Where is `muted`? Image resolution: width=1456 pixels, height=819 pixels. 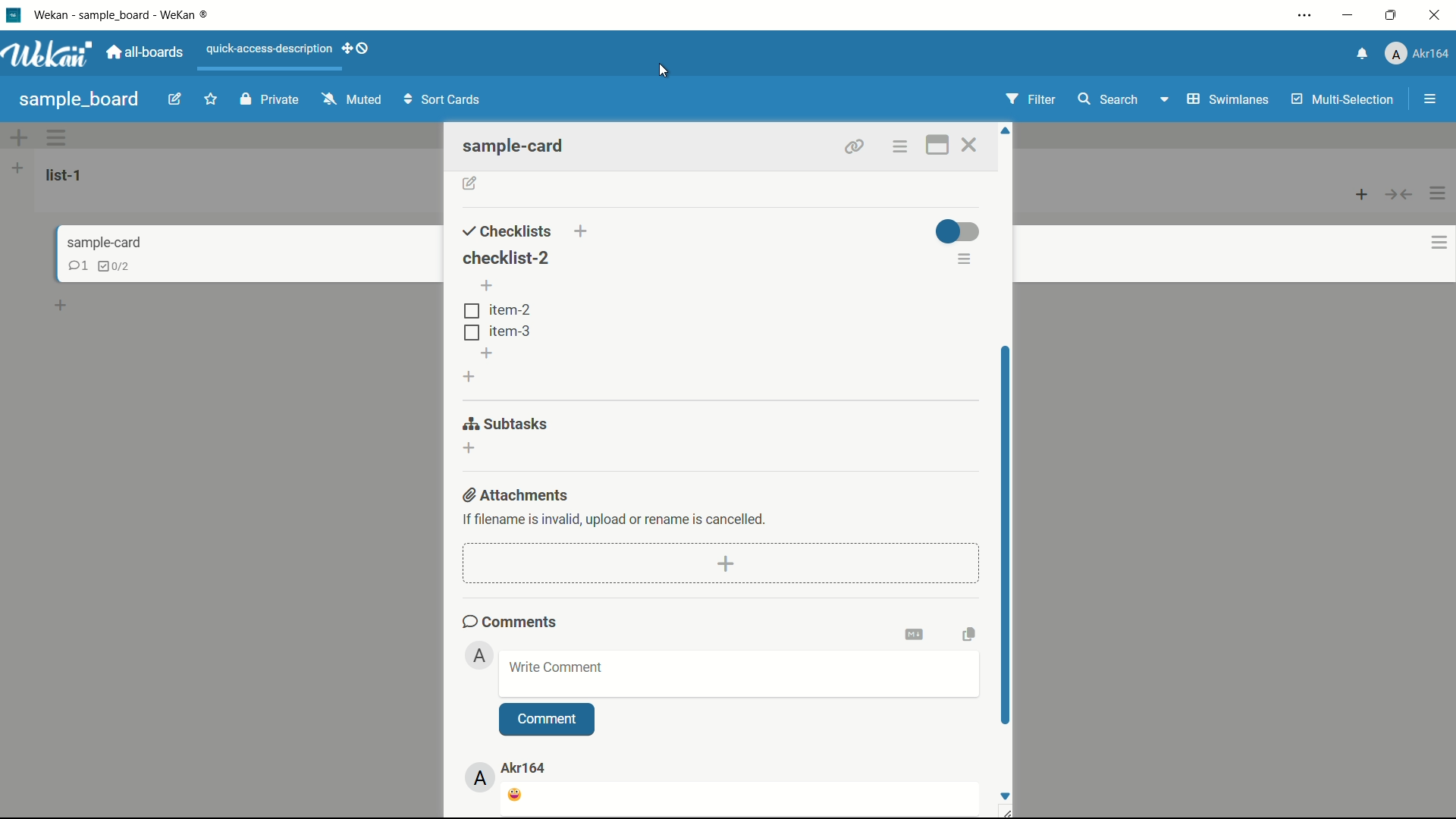
muted is located at coordinates (350, 100).